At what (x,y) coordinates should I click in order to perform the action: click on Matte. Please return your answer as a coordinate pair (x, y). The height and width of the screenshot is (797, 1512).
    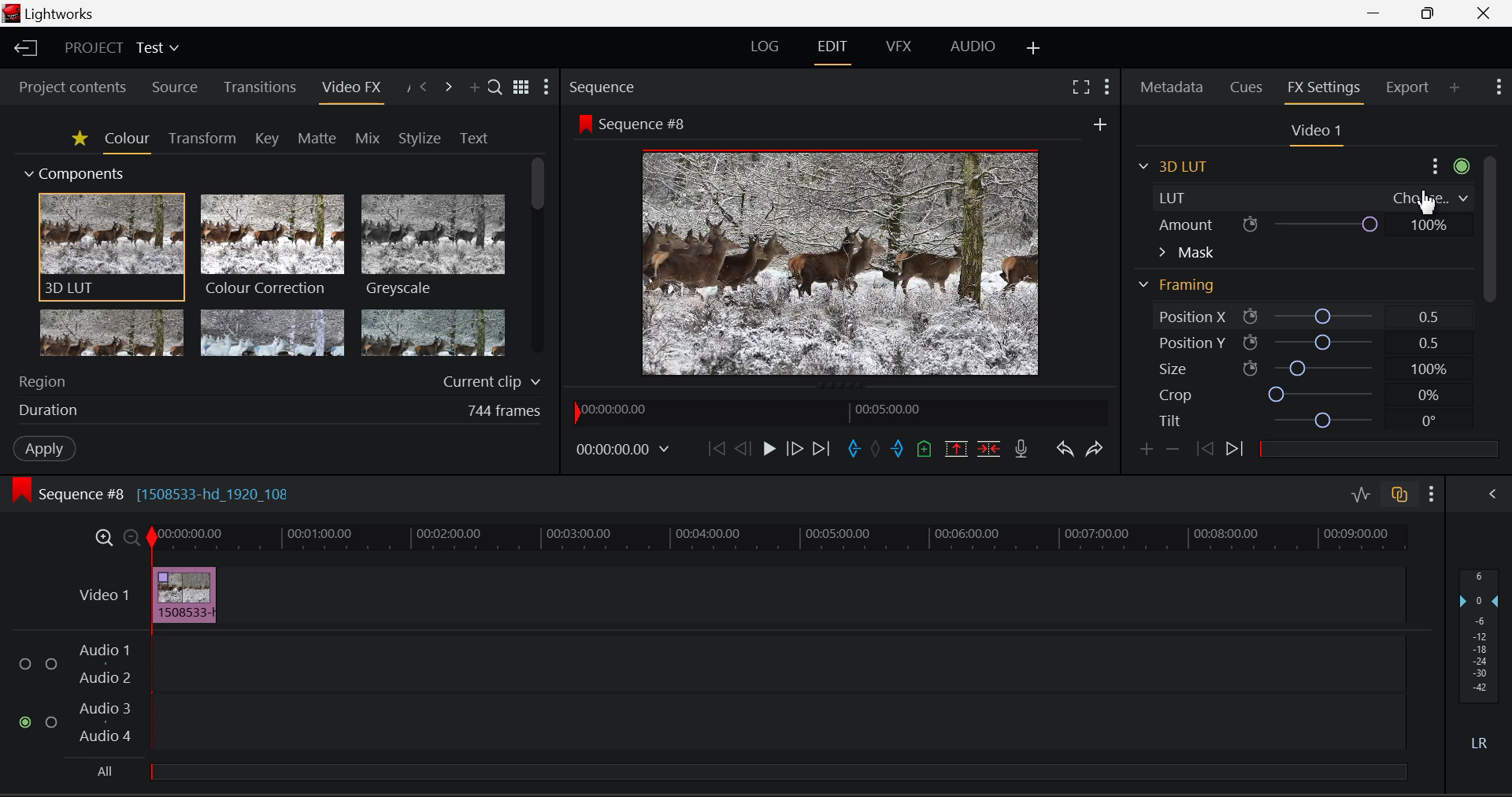
    Looking at the image, I should click on (313, 136).